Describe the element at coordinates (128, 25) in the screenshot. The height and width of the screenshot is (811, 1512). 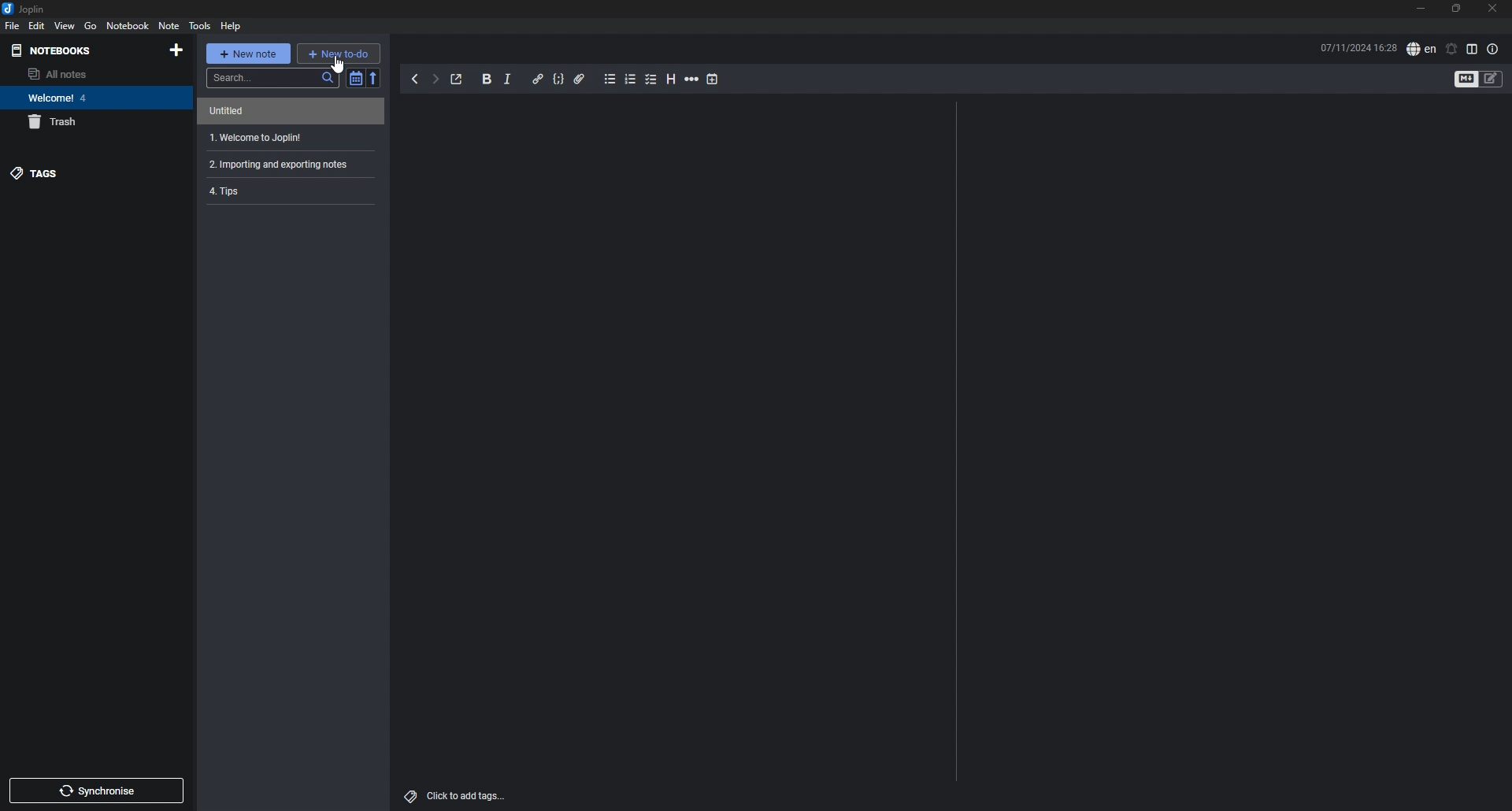
I see `notebook` at that location.